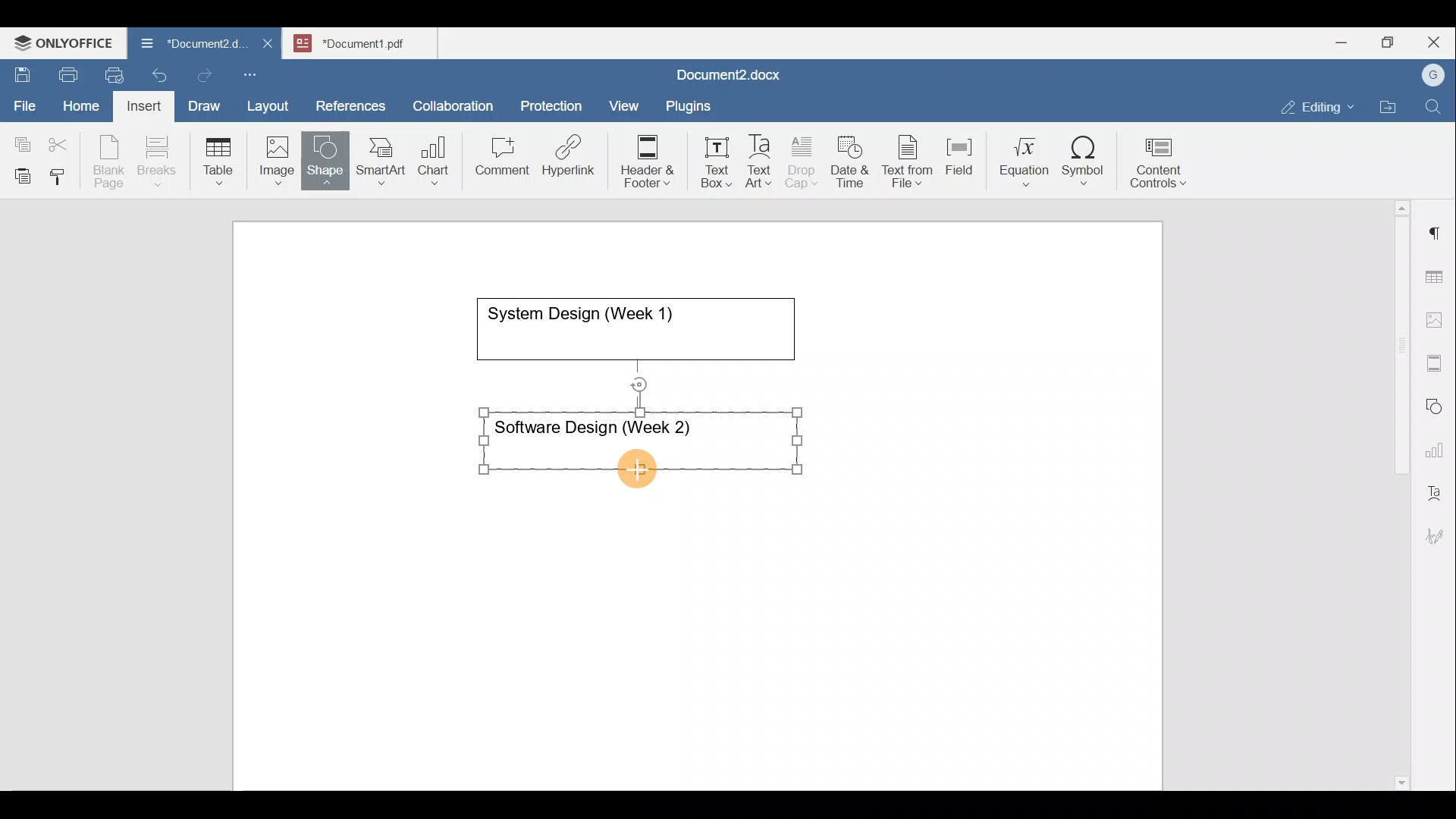  What do you see at coordinates (497, 160) in the screenshot?
I see `Comment` at bounding box center [497, 160].